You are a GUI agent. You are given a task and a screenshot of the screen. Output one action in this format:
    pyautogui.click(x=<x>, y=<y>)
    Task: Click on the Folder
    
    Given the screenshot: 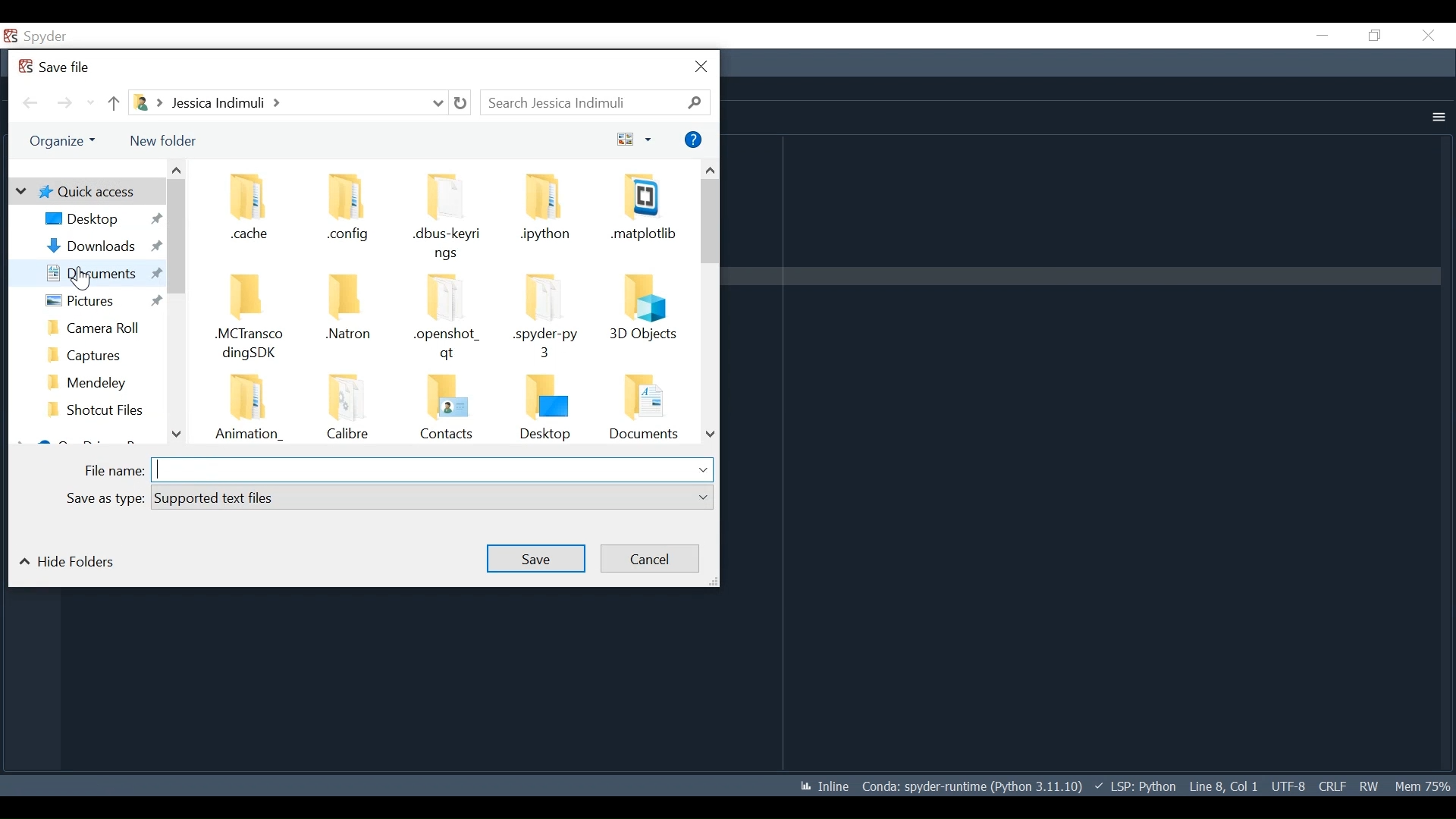 What is the action you would take?
    pyautogui.click(x=97, y=412)
    